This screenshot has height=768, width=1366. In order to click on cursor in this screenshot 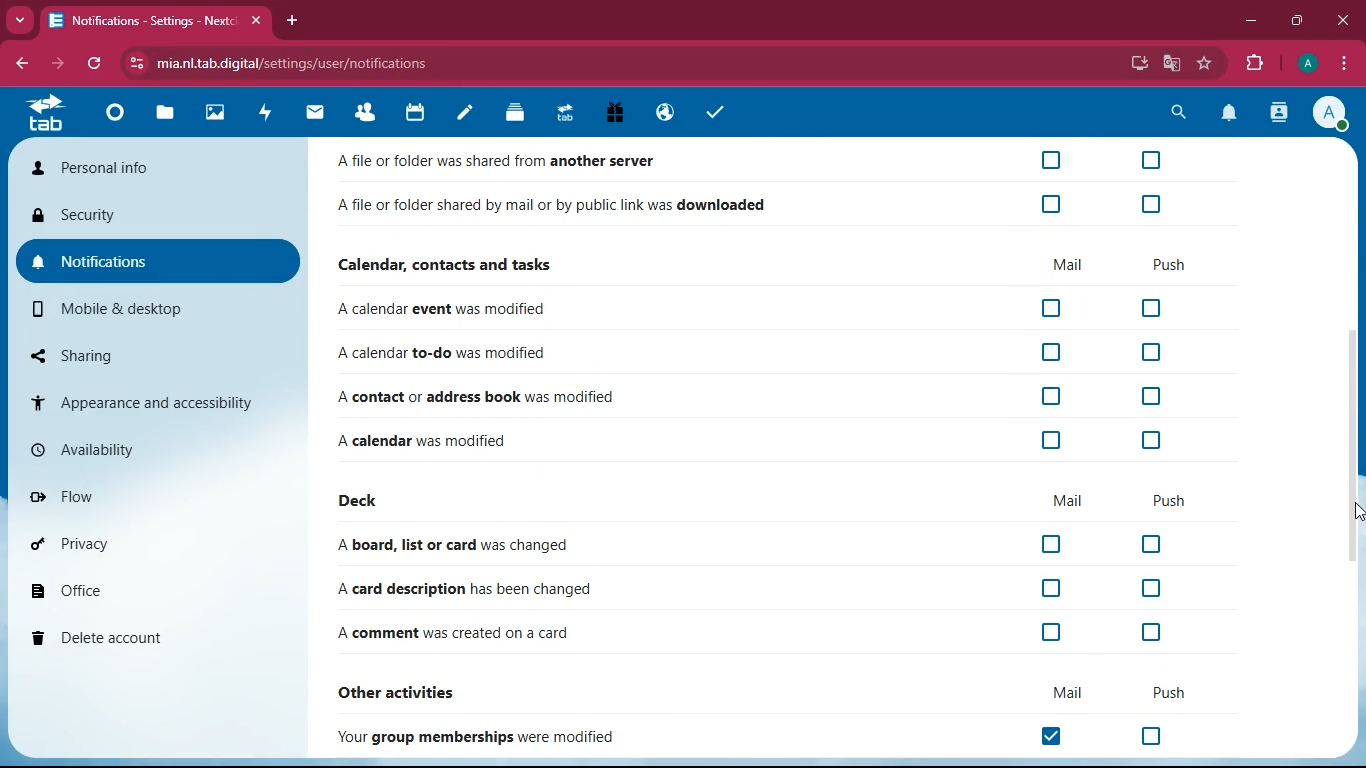, I will do `click(1357, 511)`.